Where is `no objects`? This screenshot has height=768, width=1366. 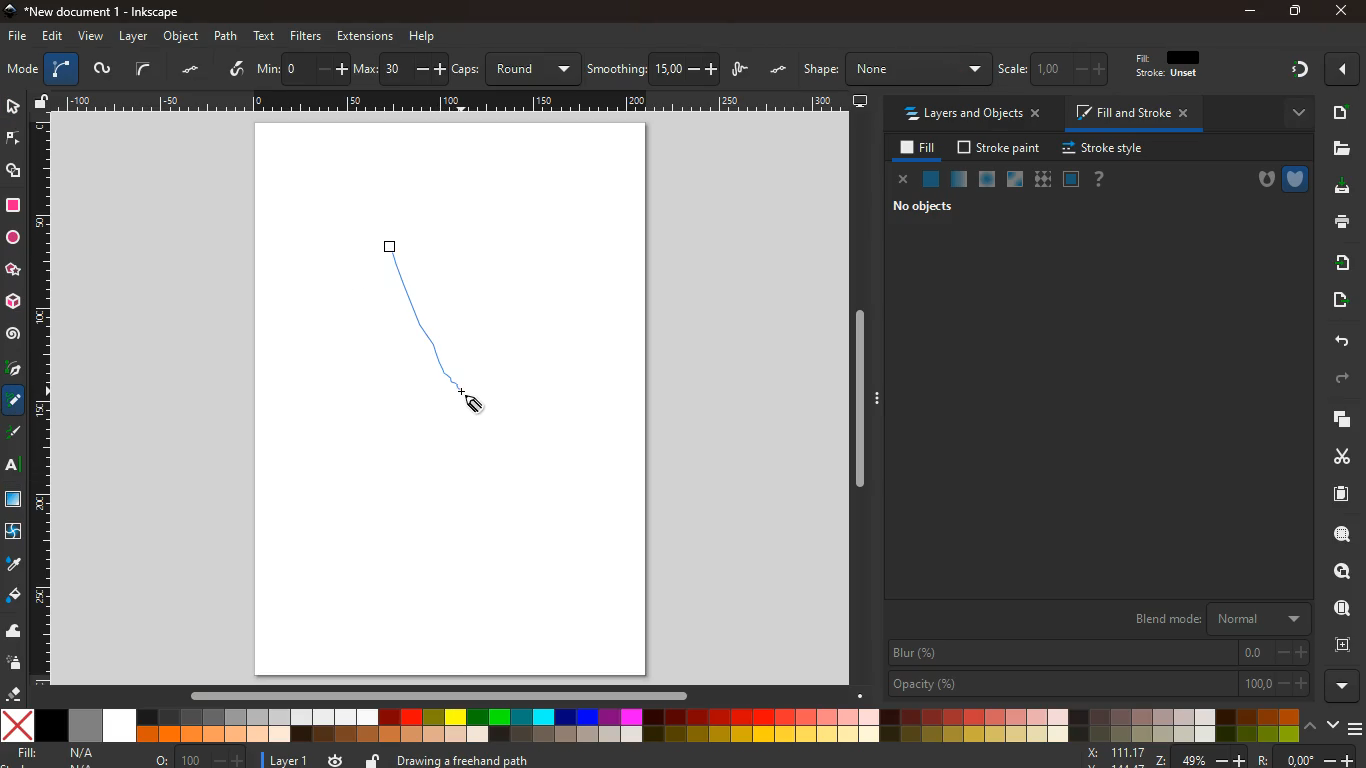
no objects is located at coordinates (927, 206).